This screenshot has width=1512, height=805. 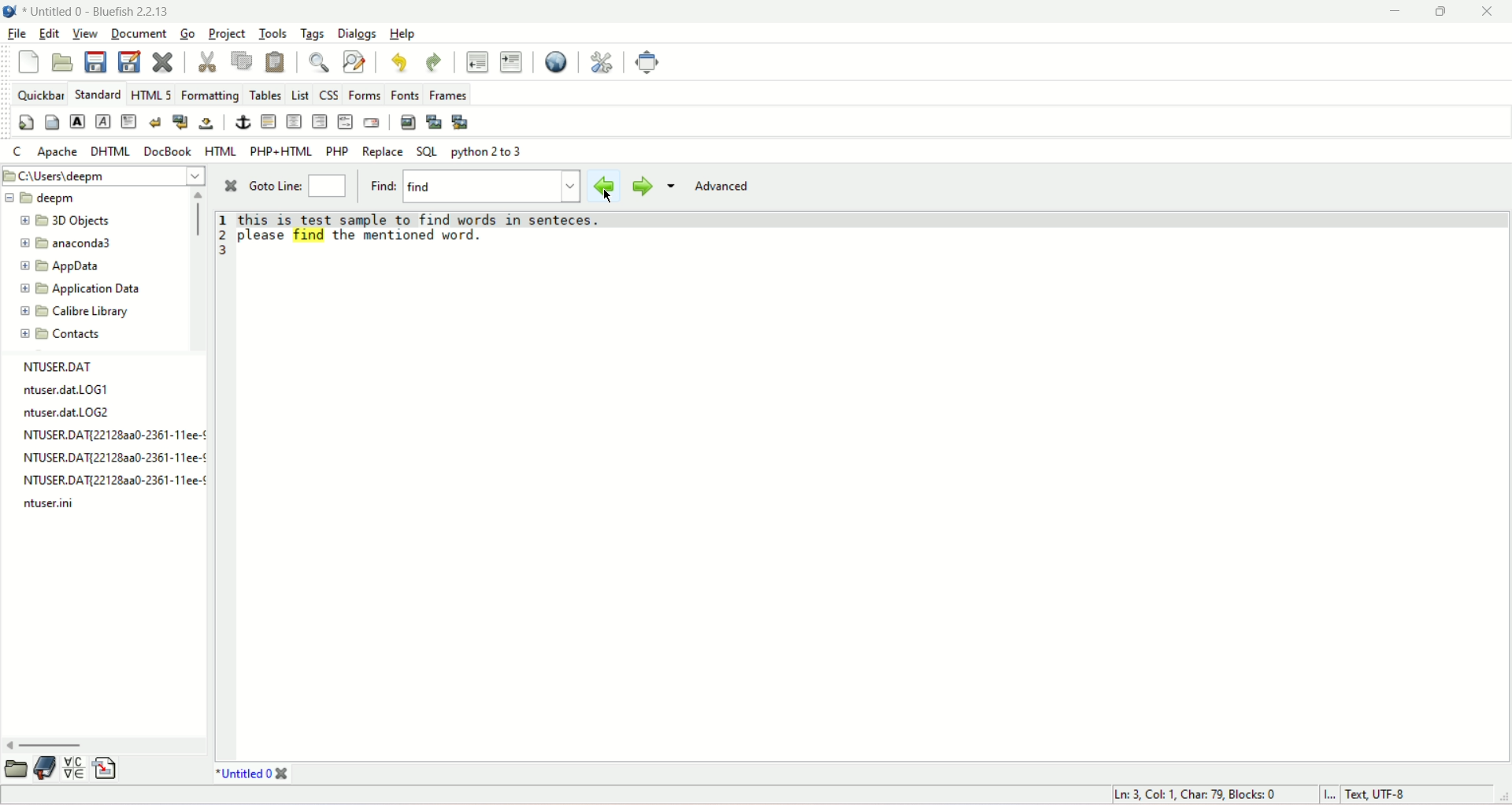 What do you see at coordinates (240, 120) in the screenshot?
I see `anchor` at bounding box center [240, 120].